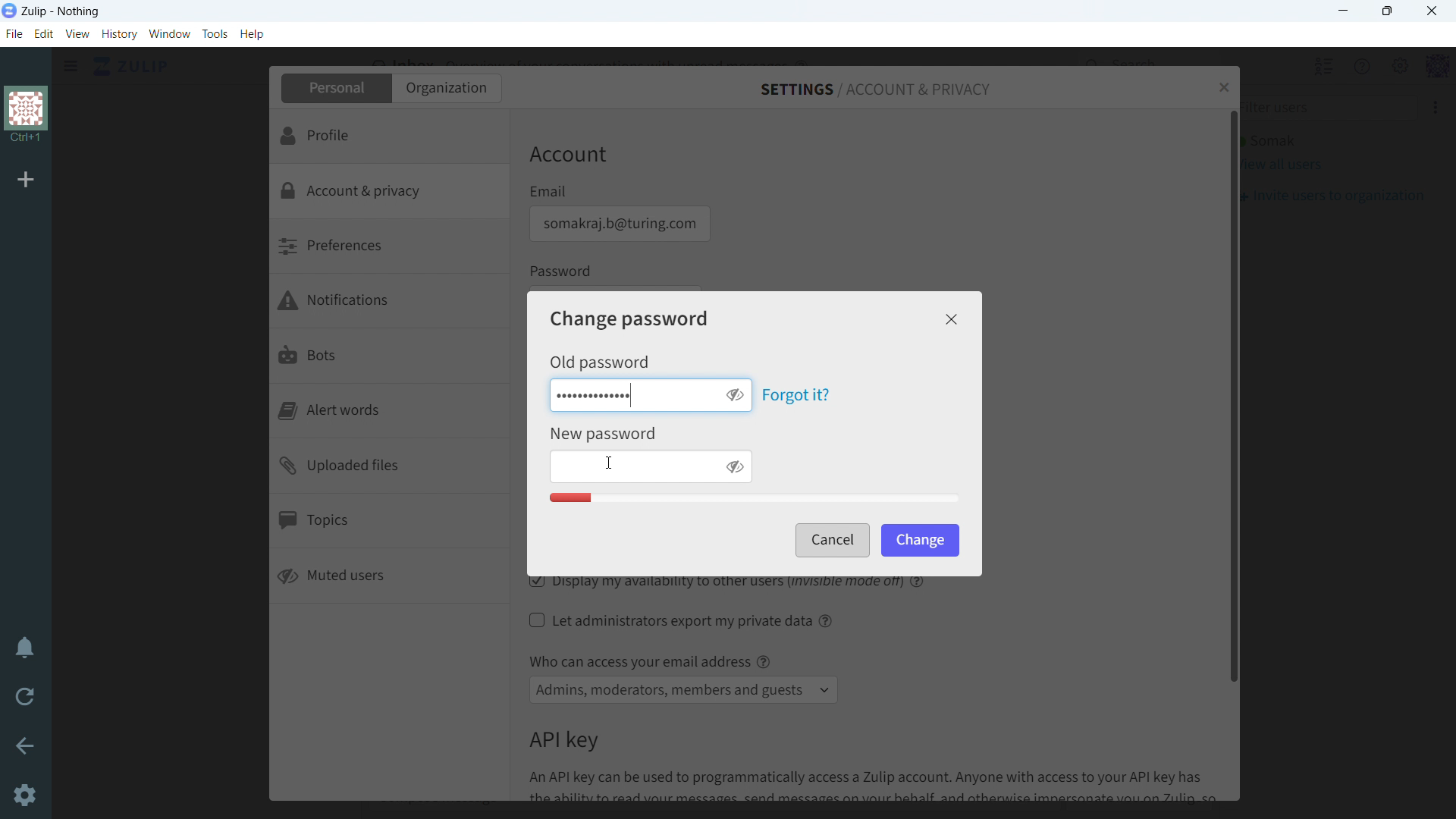 This screenshot has width=1456, height=819. Describe the element at coordinates (446, 88) in the screenshot. I see `organization` at that location.